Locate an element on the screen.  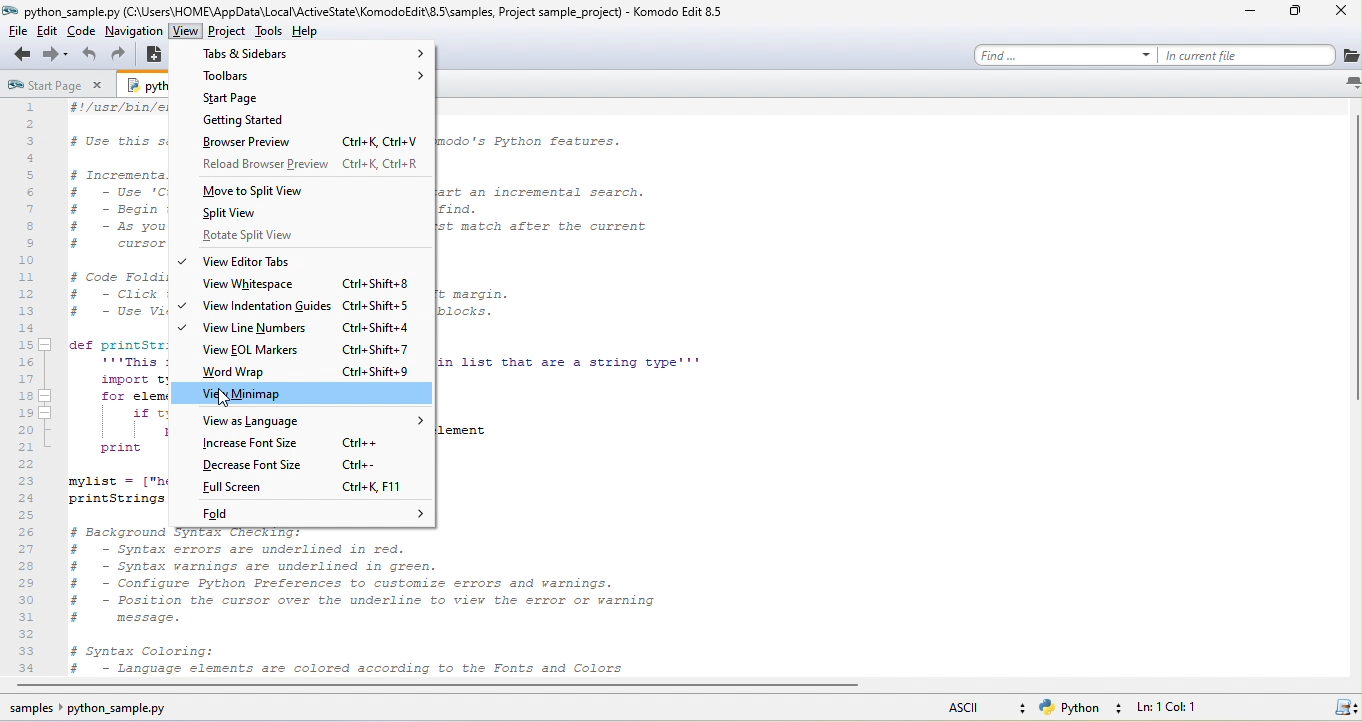
view eol markers is located at coordinates (300, 347).